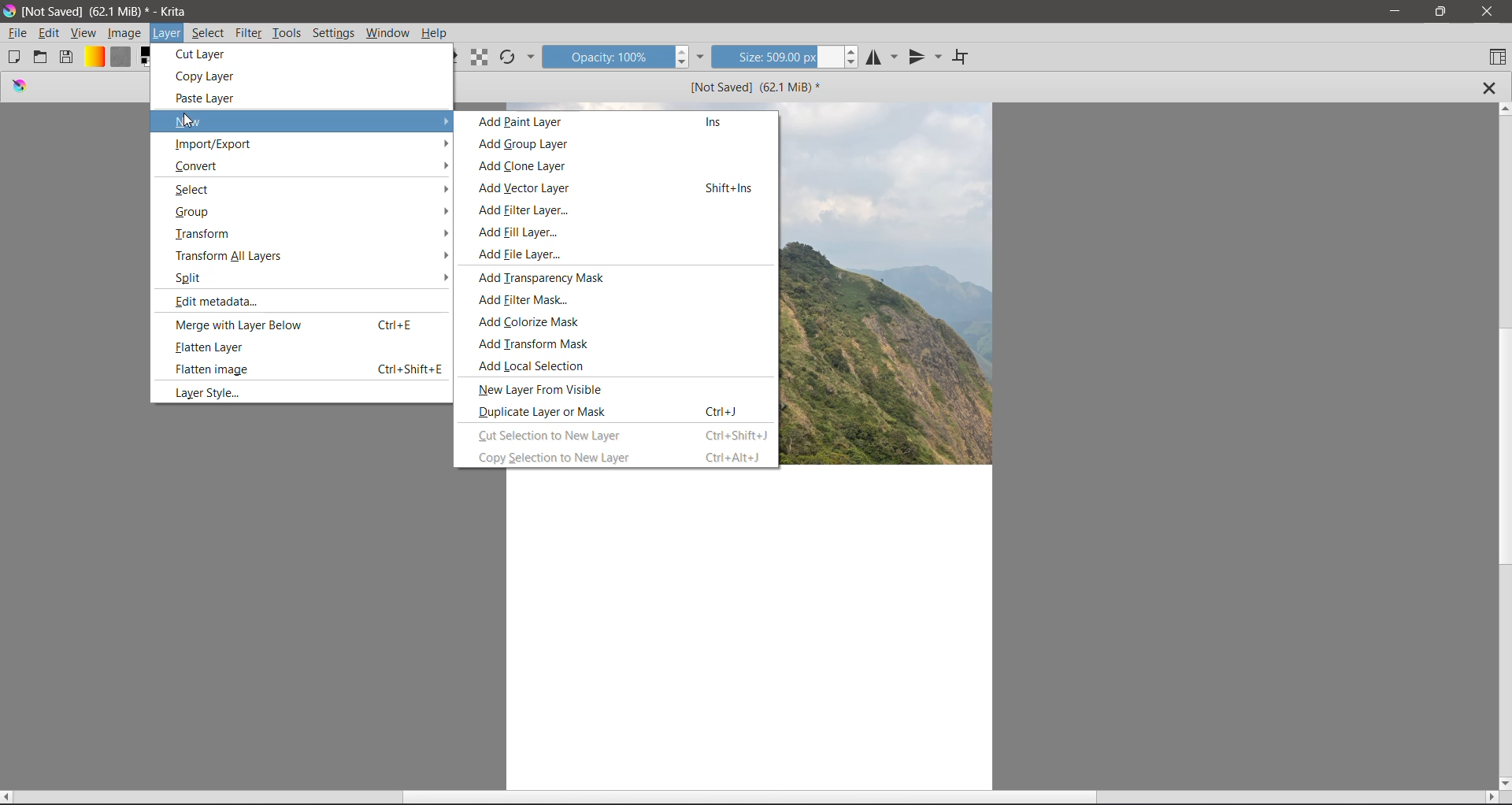  Describe the element at coordinates (289, 31) in the screenshot. I see `Tools` at that location.